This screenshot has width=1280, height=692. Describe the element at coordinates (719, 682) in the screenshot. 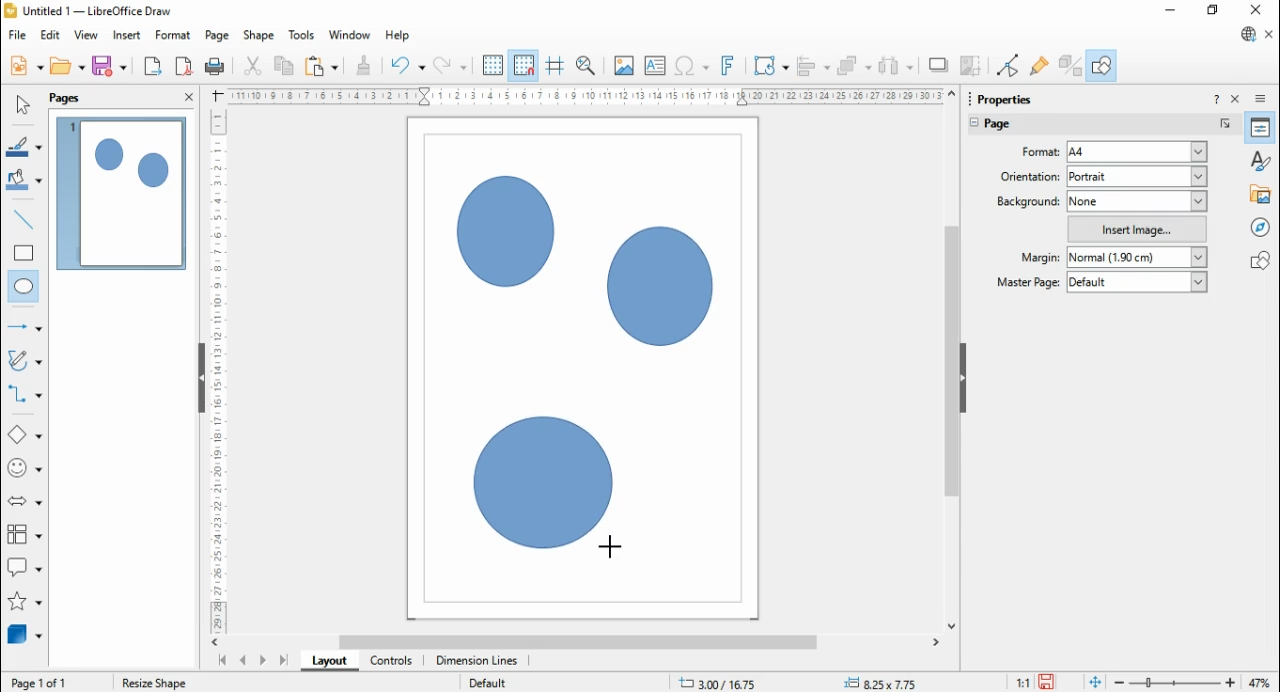

I see ` .11.58/ 13.41` at that location.